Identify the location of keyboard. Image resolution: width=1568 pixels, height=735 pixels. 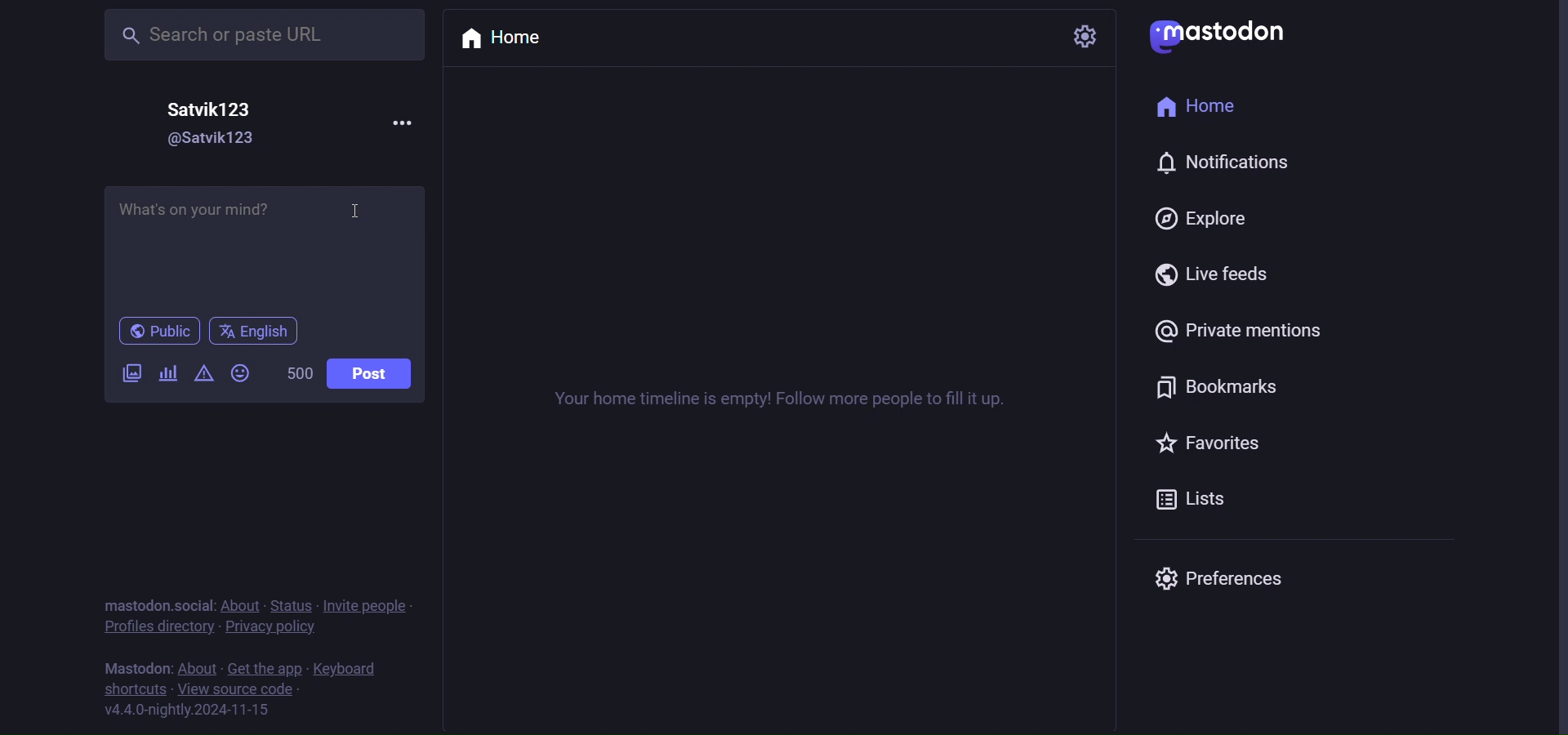
(347, 670).